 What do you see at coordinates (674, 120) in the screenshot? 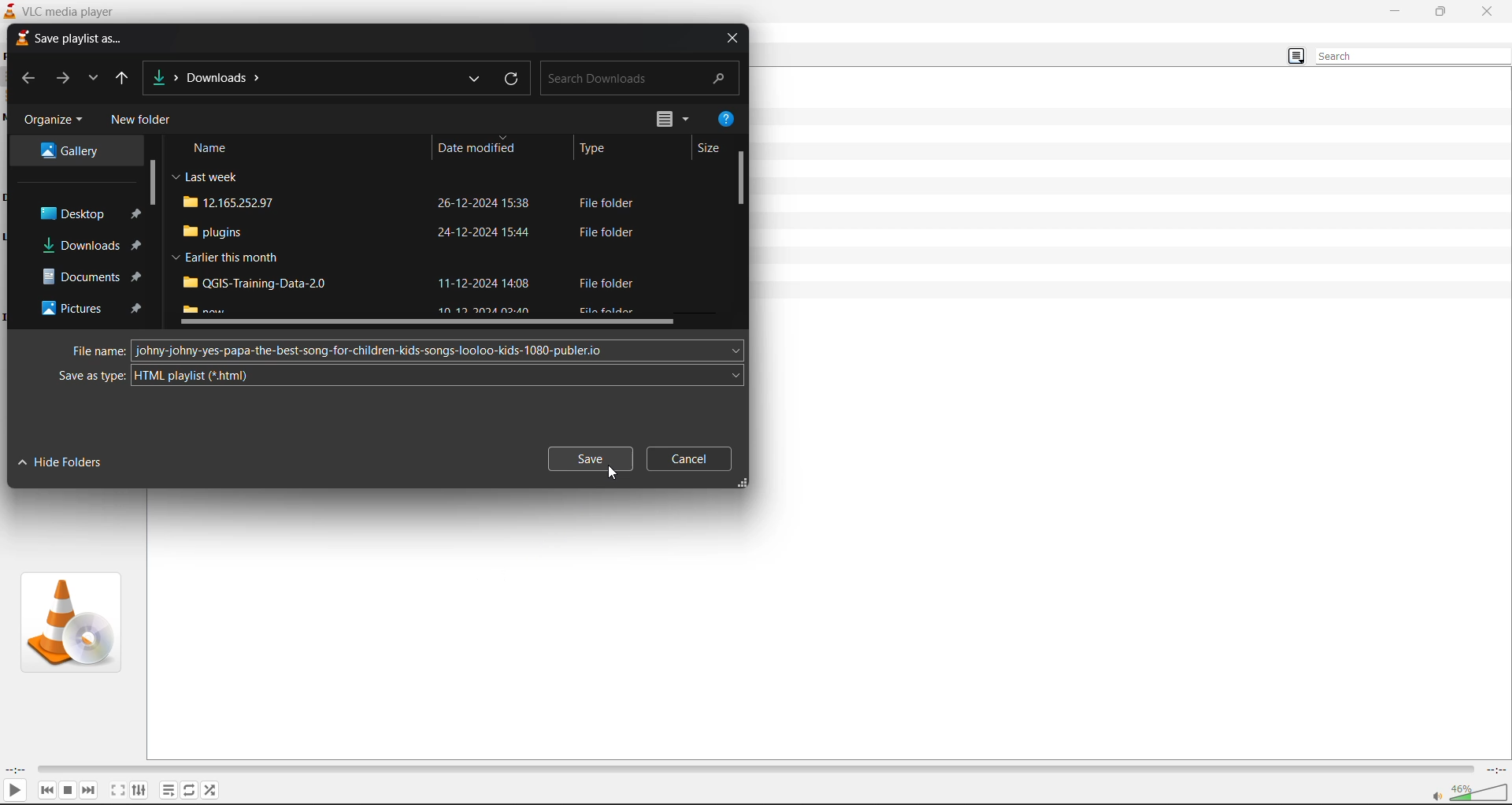
I see `change view` at bounding box center [674, 120].